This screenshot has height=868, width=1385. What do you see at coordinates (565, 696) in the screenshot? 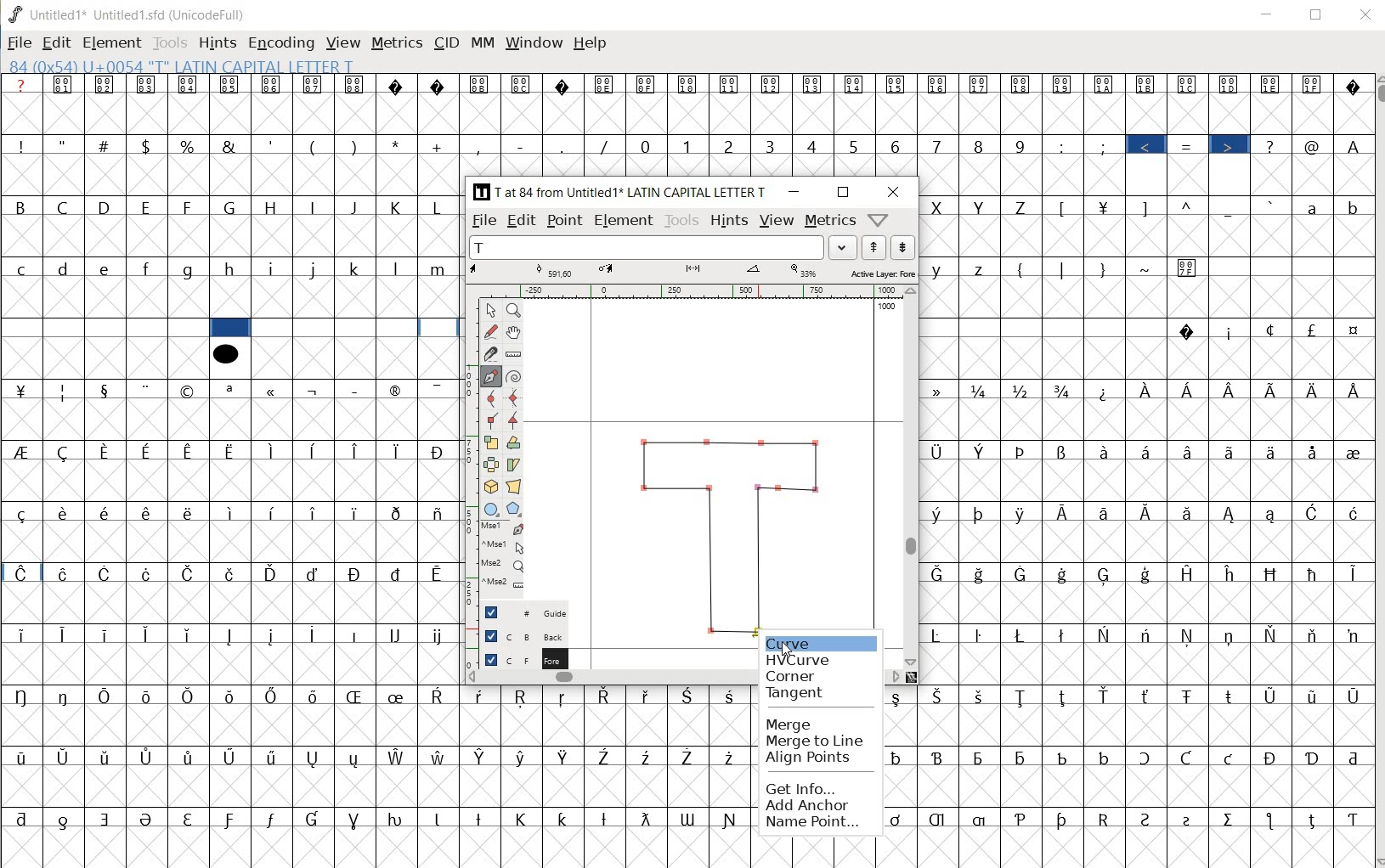
I see `Symbol` at bounding box center [565, 696].